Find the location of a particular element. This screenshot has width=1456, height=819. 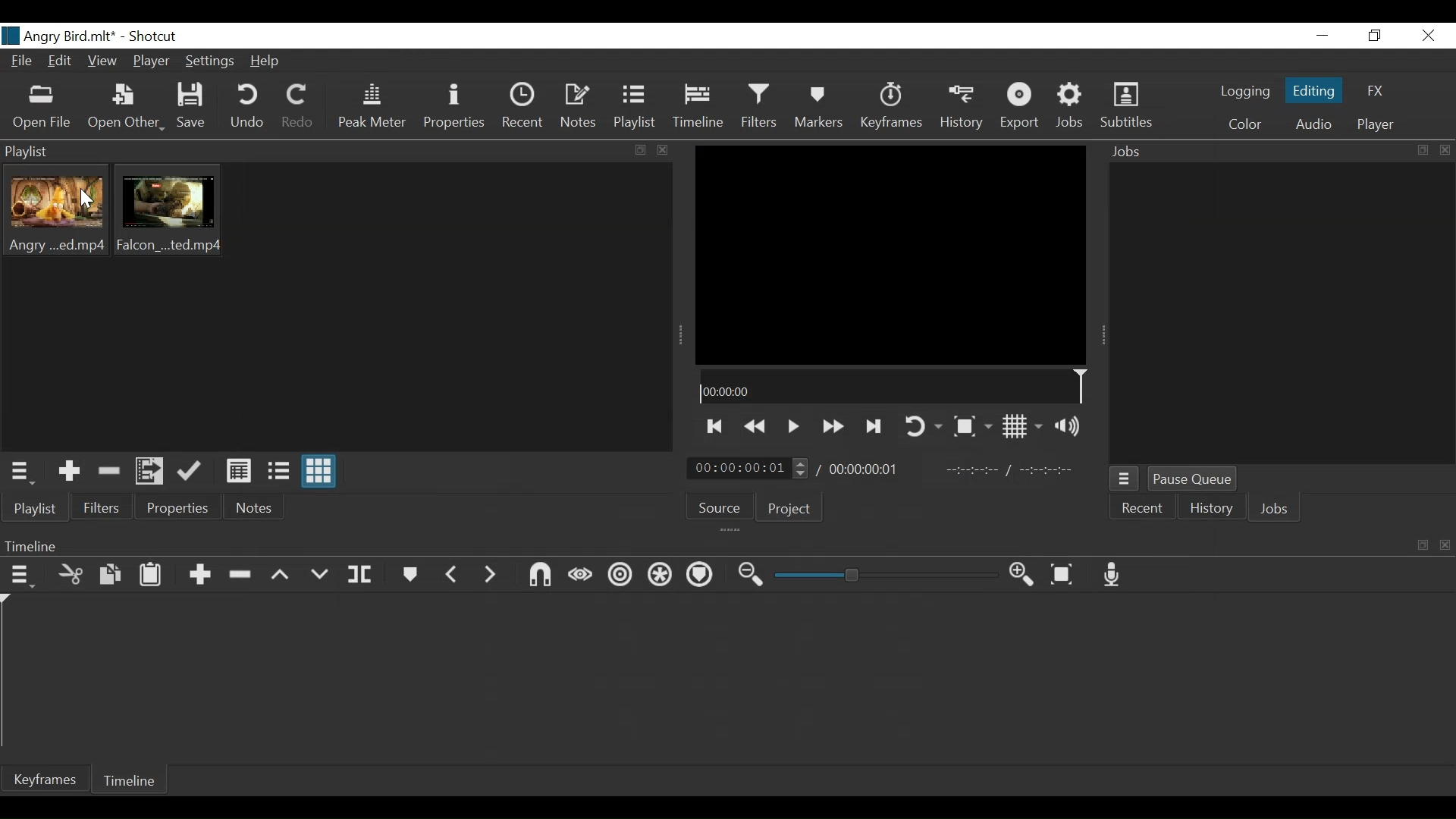

Export is located at coordinates (1022, 108).